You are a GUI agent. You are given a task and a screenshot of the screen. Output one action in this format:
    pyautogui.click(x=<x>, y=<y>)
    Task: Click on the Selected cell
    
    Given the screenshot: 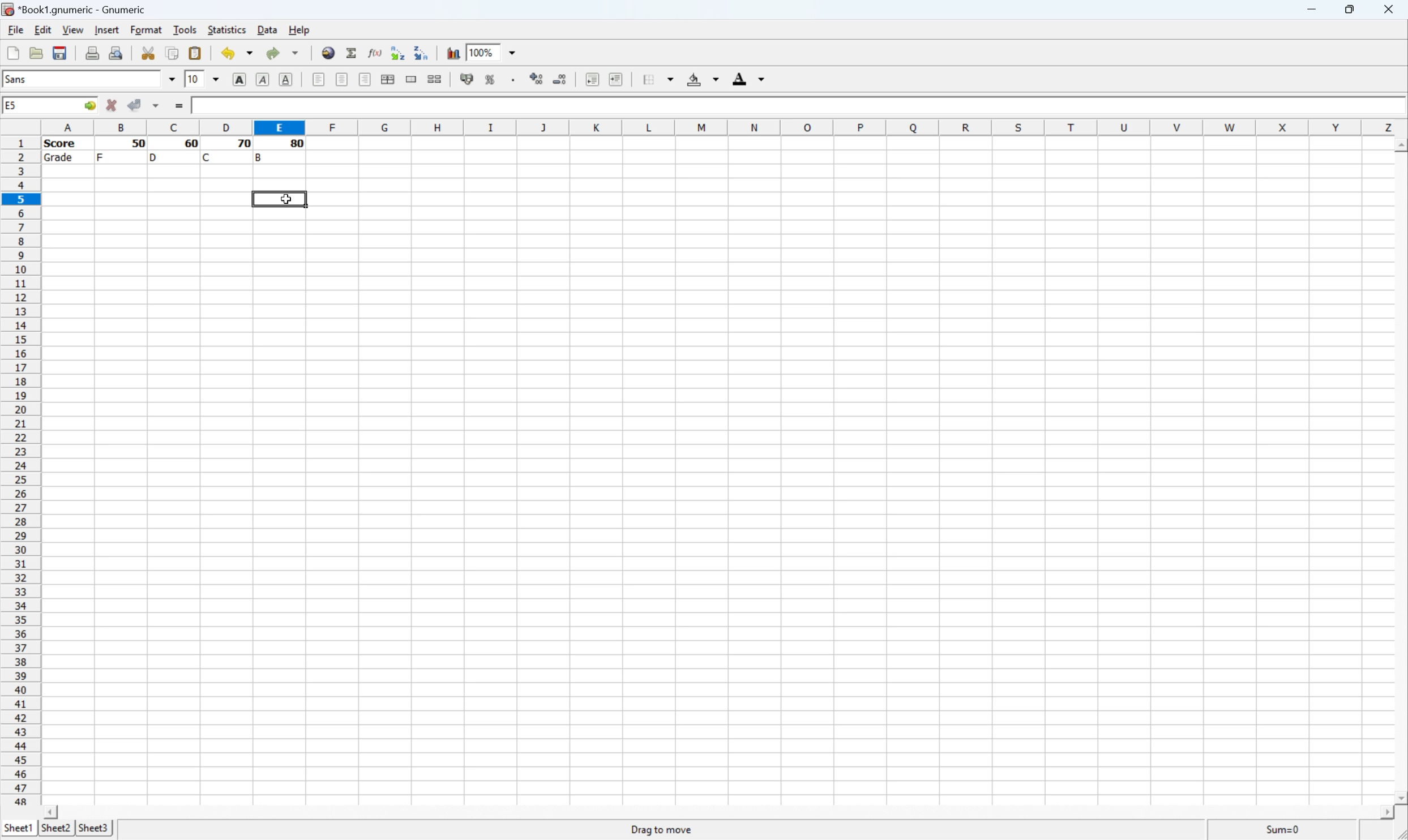 What is the action you would take?
    pyautogui.click(x=279, y=199)
    